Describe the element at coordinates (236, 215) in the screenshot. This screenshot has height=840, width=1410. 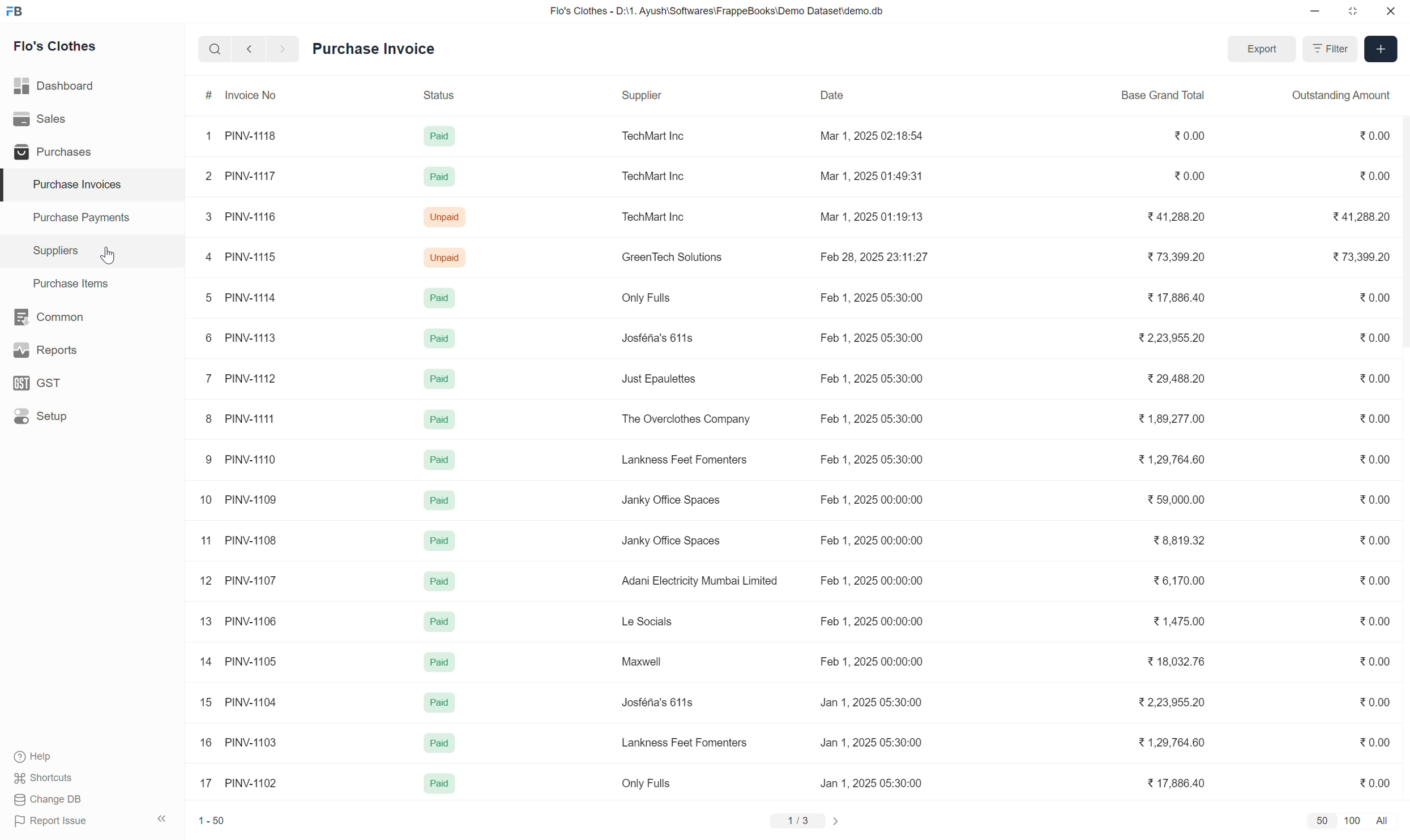
I see `3 PINV-1116` at that location.